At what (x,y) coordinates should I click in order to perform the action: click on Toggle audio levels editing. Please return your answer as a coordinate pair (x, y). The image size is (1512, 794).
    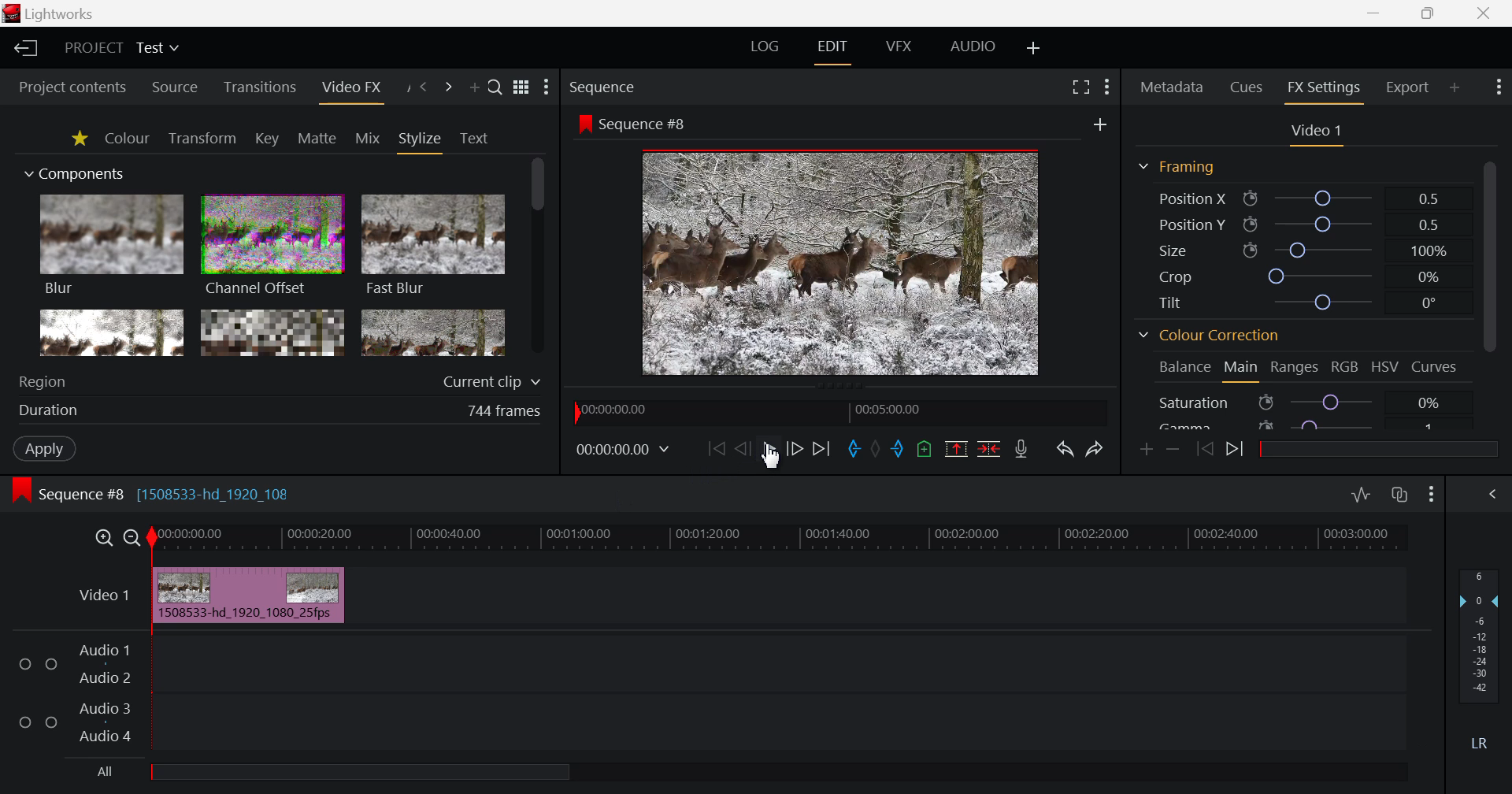
    Looking at the image, I should click on (1361, 495).